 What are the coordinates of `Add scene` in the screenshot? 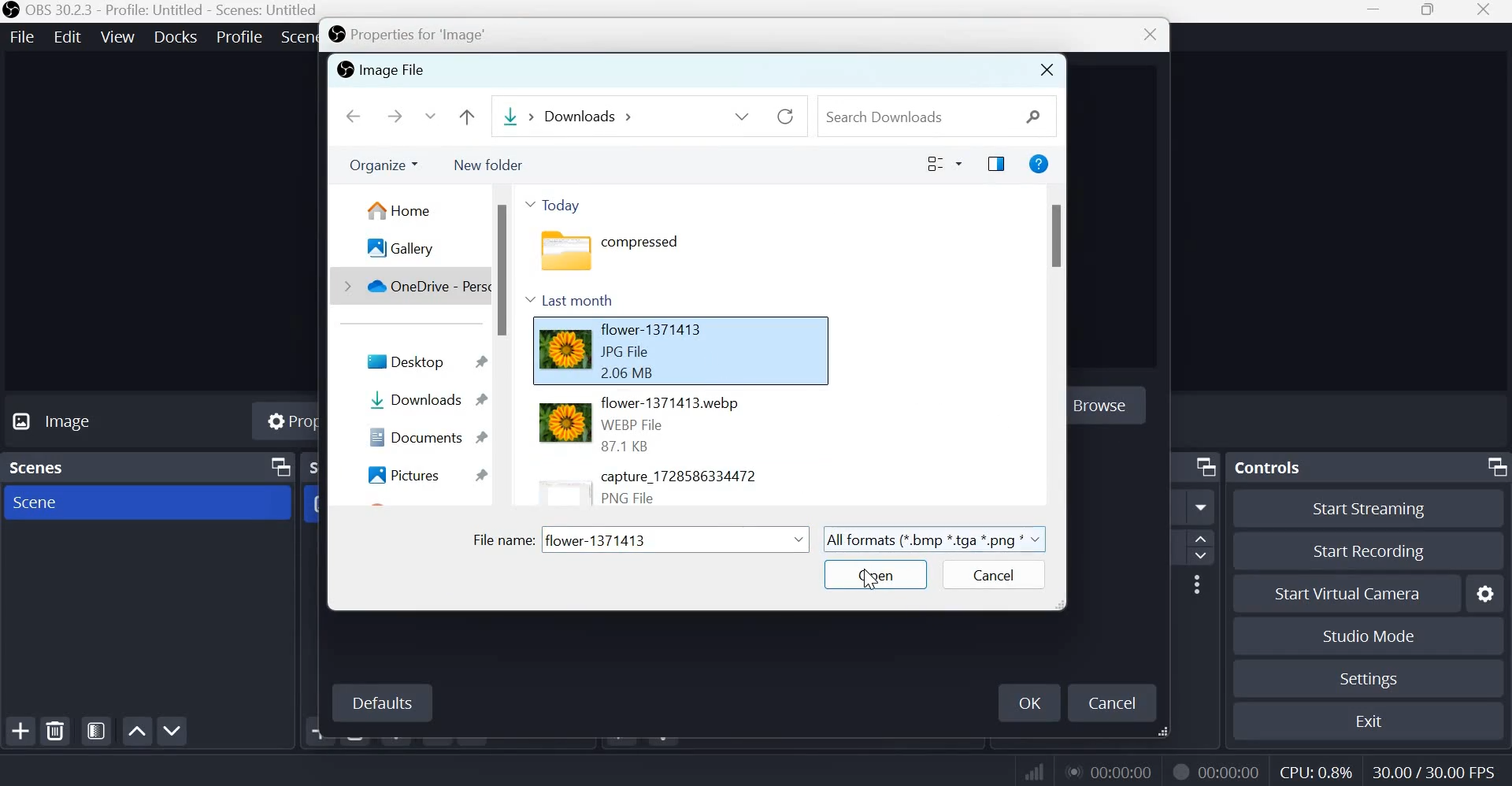 It's located at (24, 730).